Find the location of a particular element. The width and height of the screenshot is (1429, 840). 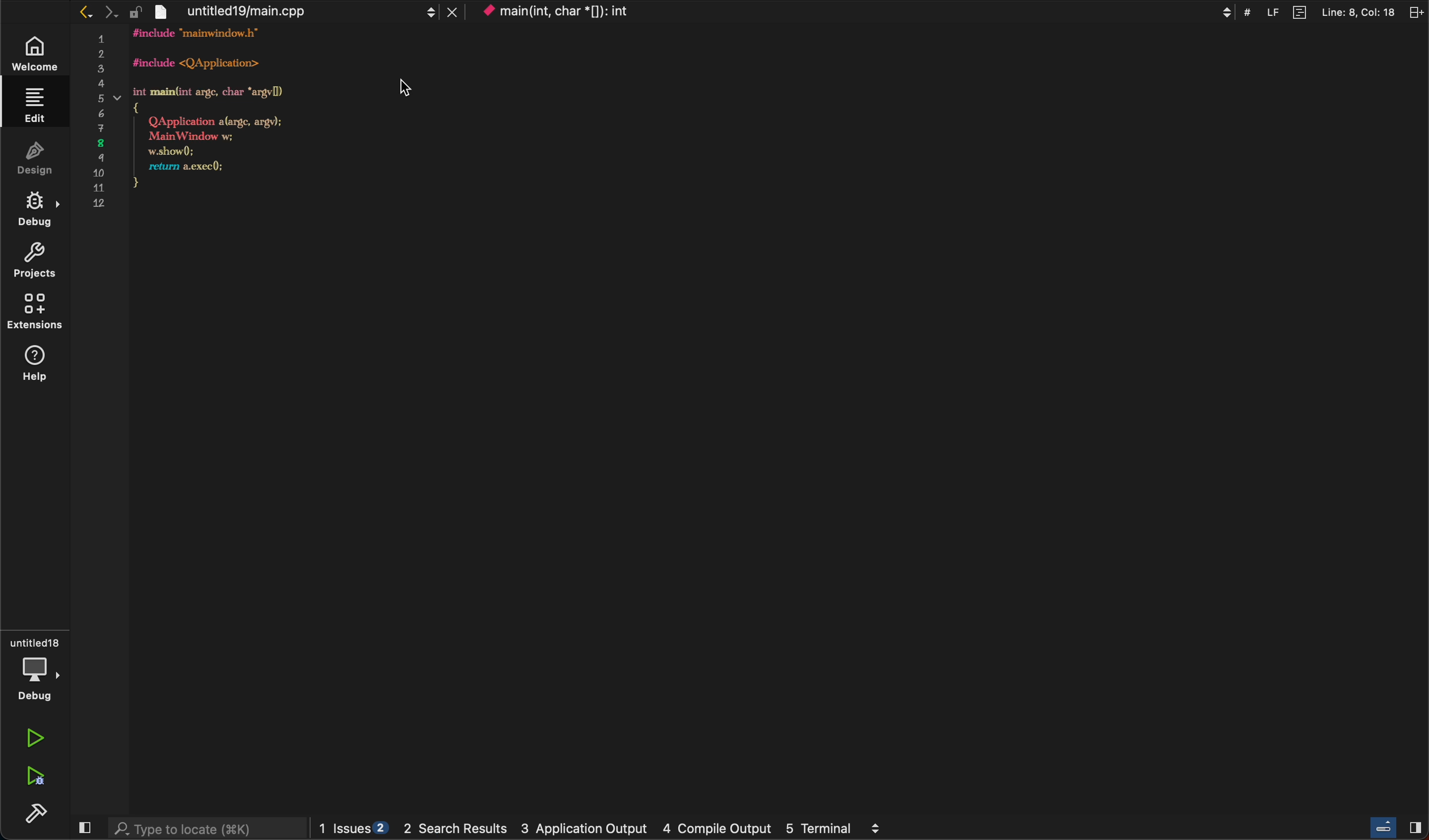

help is located at coordinates (36, 366).